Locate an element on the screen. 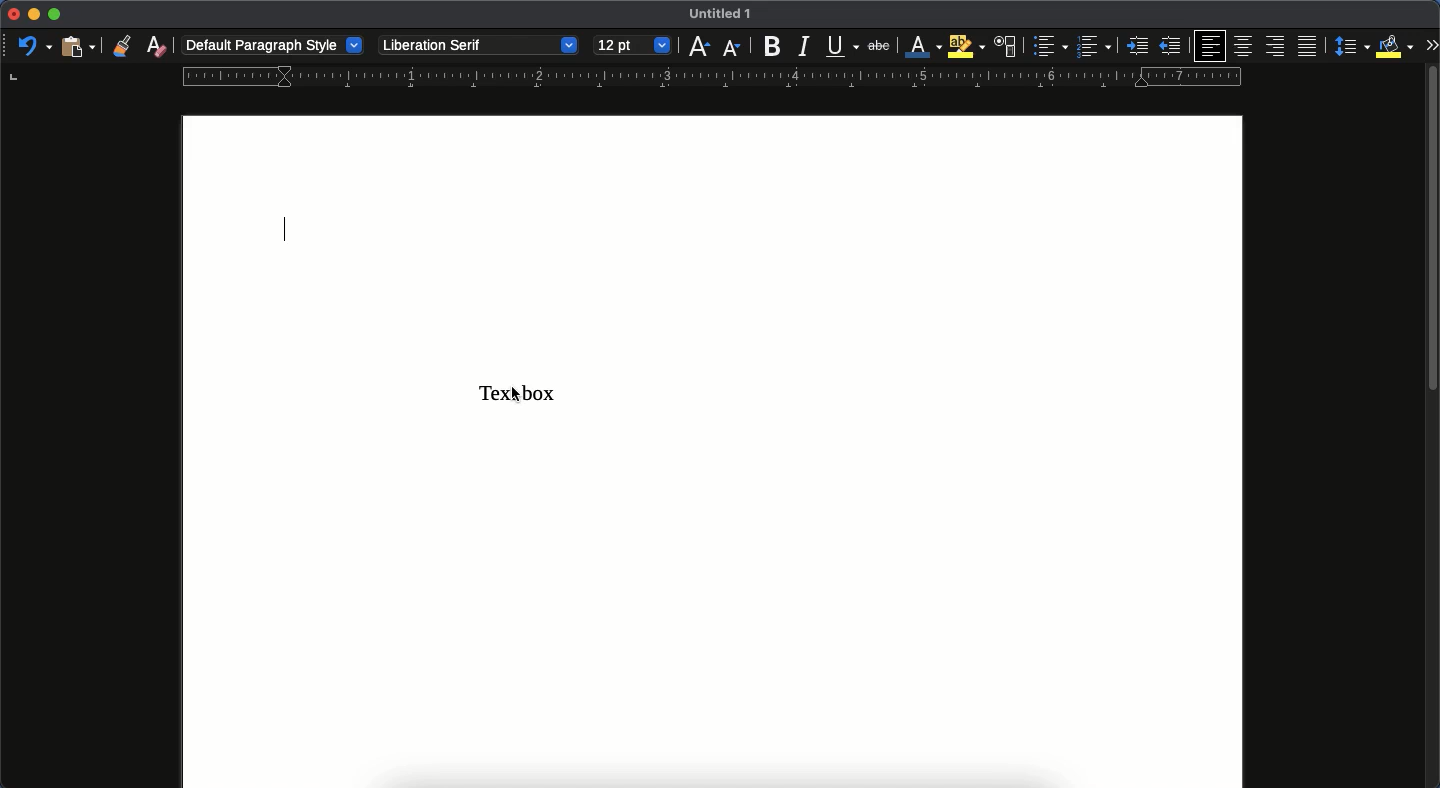 The width and height of the screenshot is (1440, 788). bold is located at coordinates (770, 46).